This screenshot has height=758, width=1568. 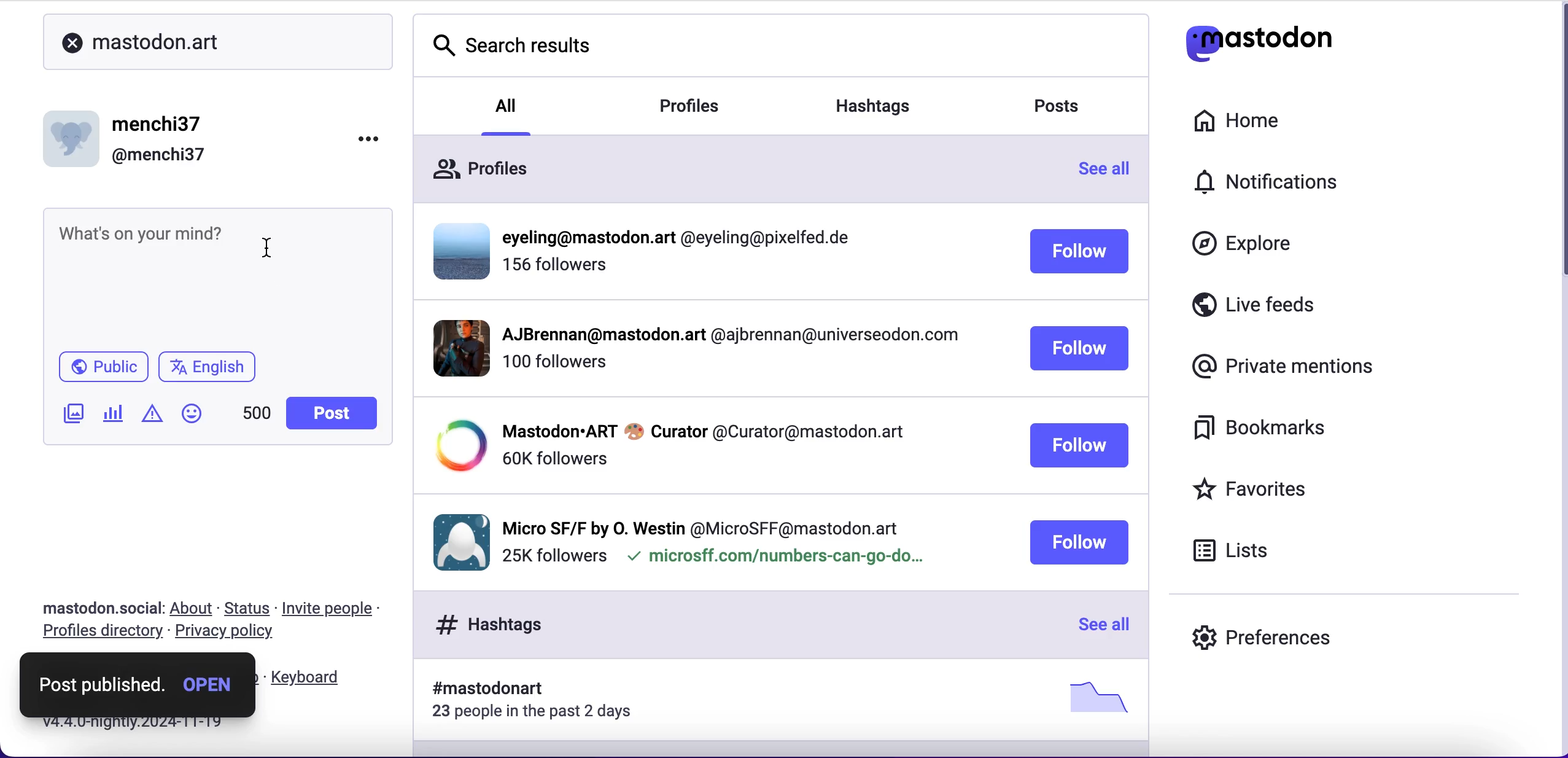 What do you see at coordinates (456, 540) in the screenshot?
I see `display picture` at bounding box center [456, 540].